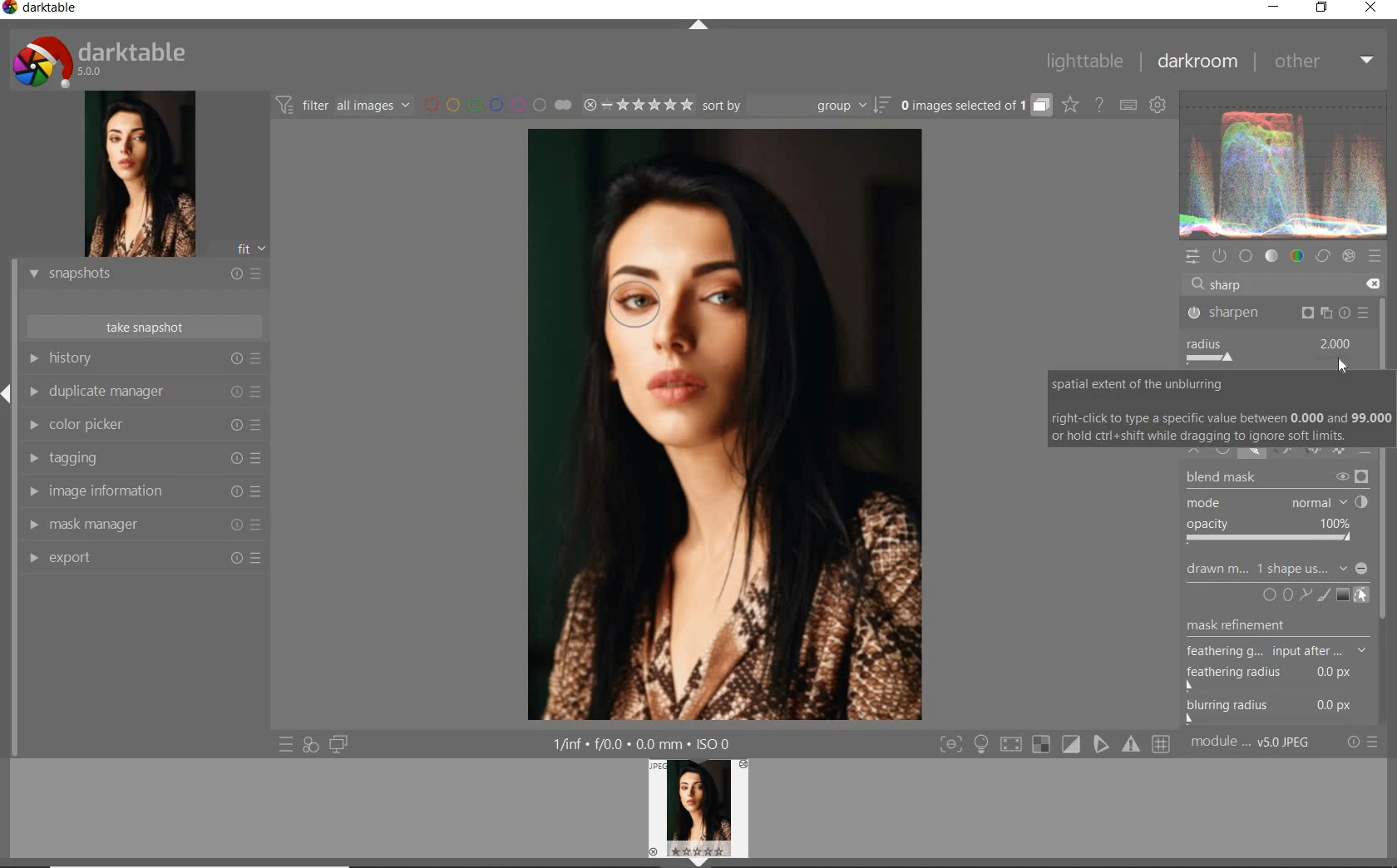 The image size is (1397, 868). I want to click on filter all images by module order, so click(344, 107).